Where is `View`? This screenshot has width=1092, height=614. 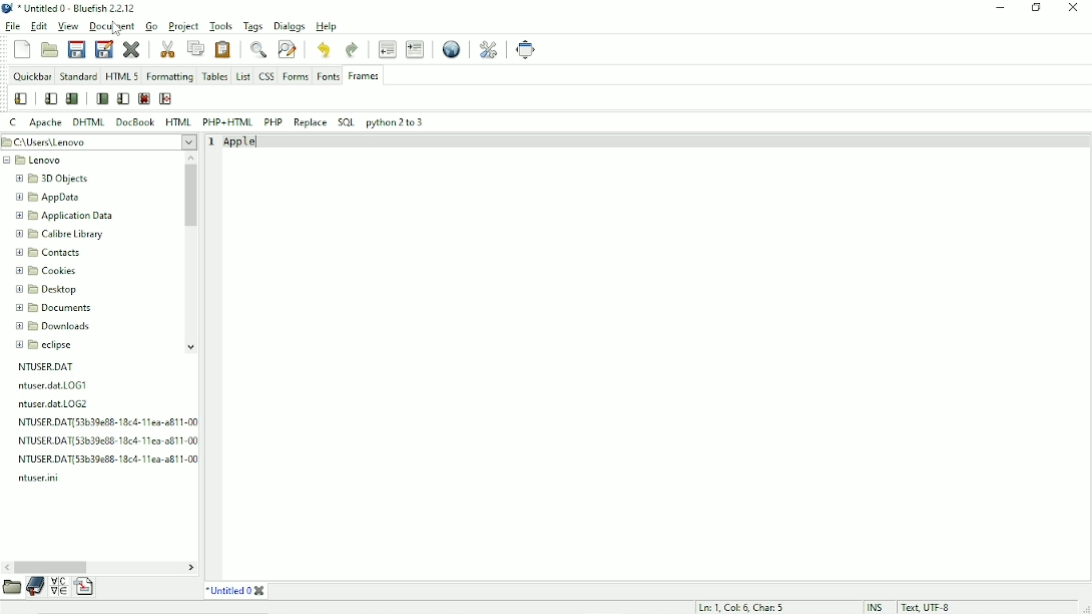 View is located at coordinates (67, 27).